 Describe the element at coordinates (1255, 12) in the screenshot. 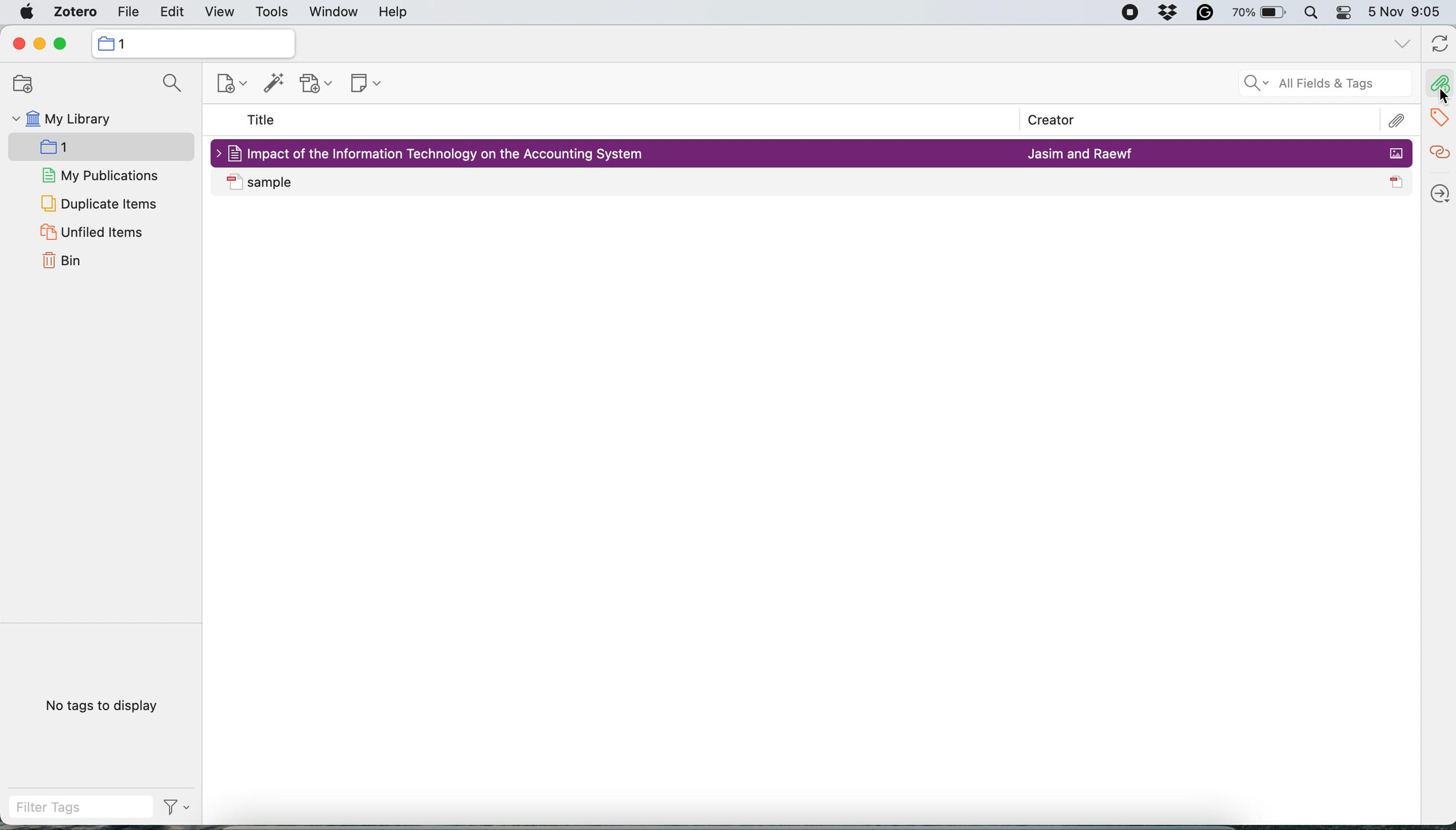

I see `battery` at that location.